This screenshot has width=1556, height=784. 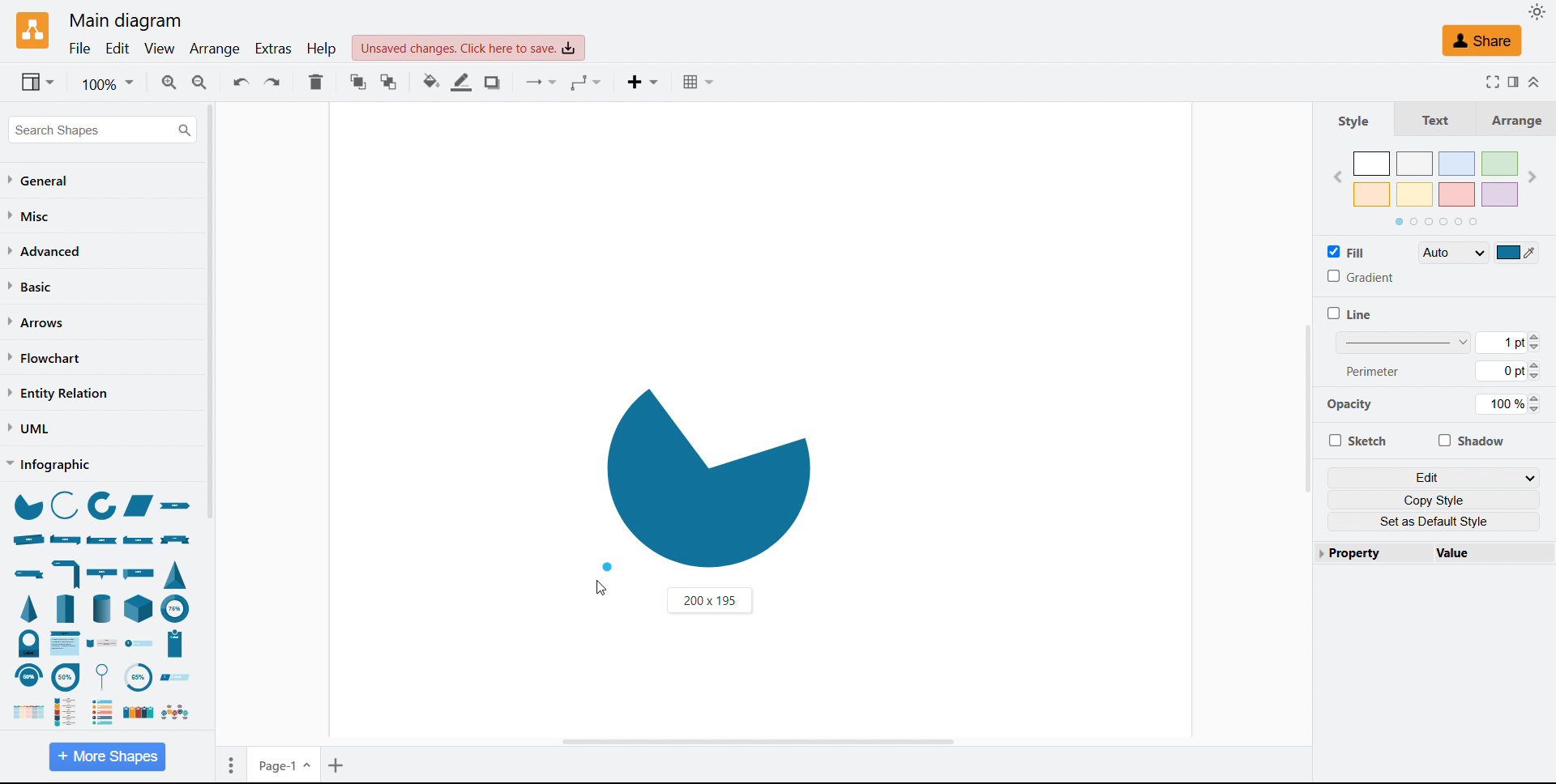 I want to click on pie, so click(x=27, y=505).